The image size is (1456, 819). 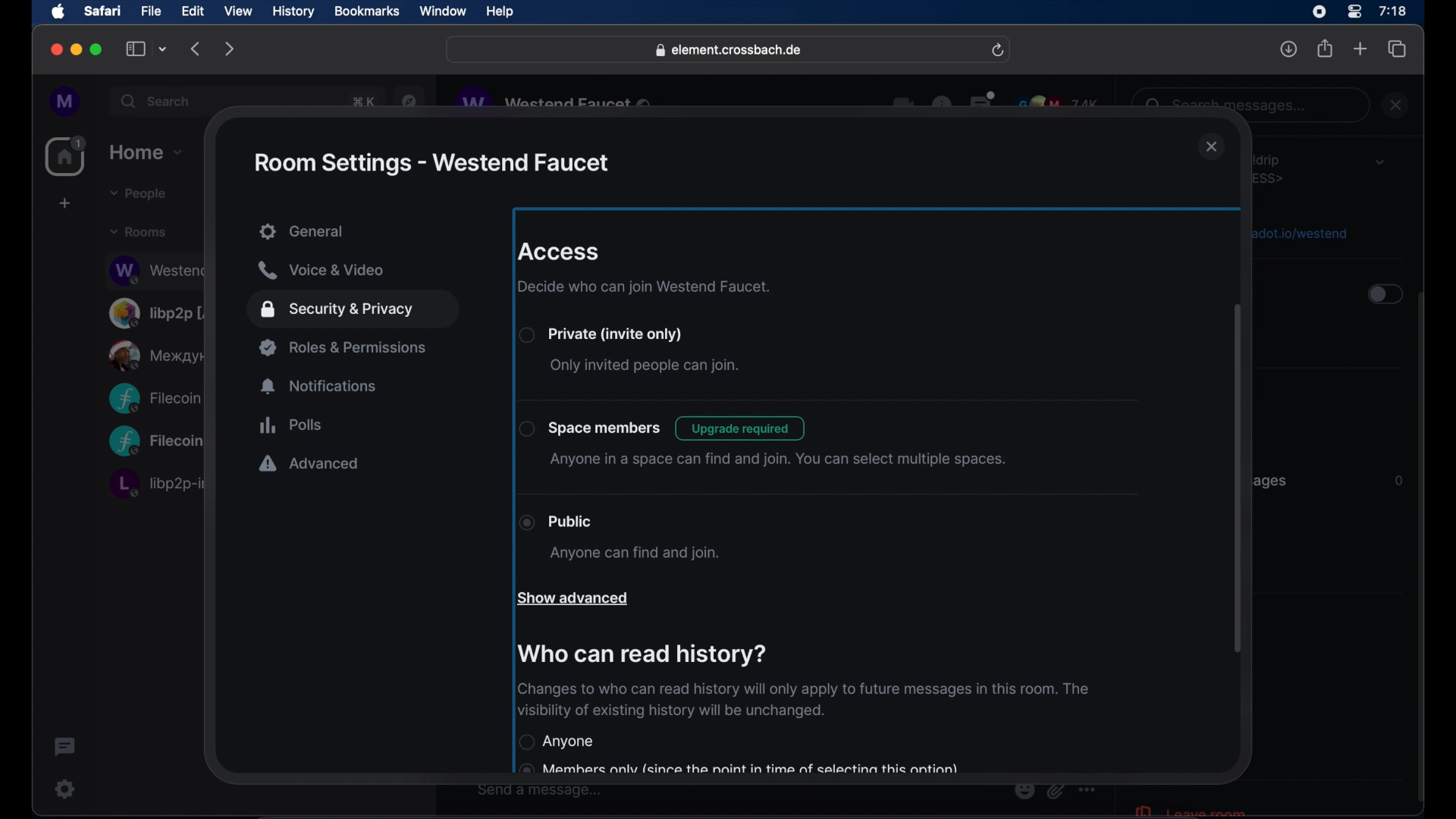 I want to click on backward, so click(x=196, y=49).